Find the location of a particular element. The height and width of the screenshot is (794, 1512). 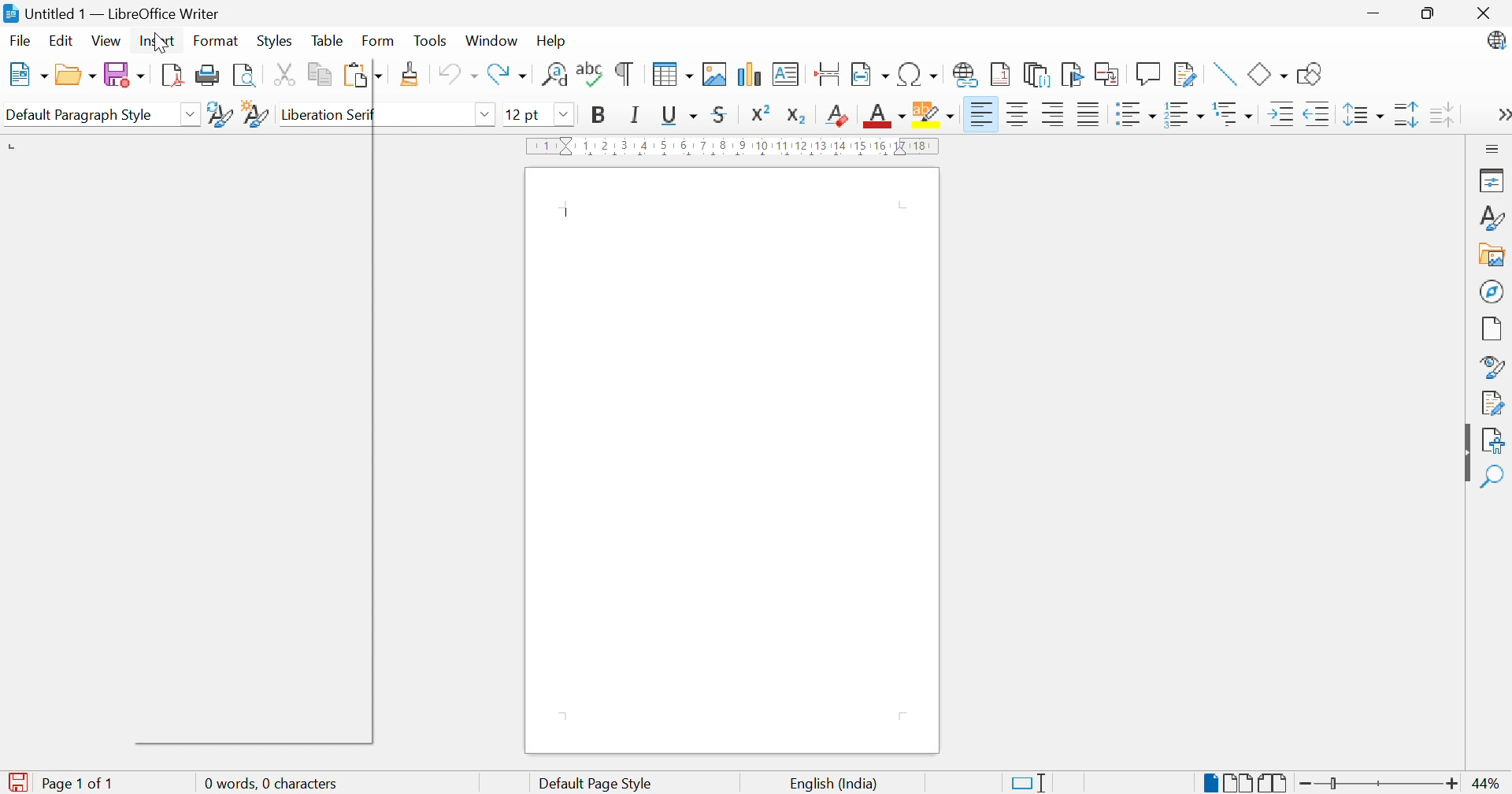

Sidebar settings is located at coordinates (1495, 147).